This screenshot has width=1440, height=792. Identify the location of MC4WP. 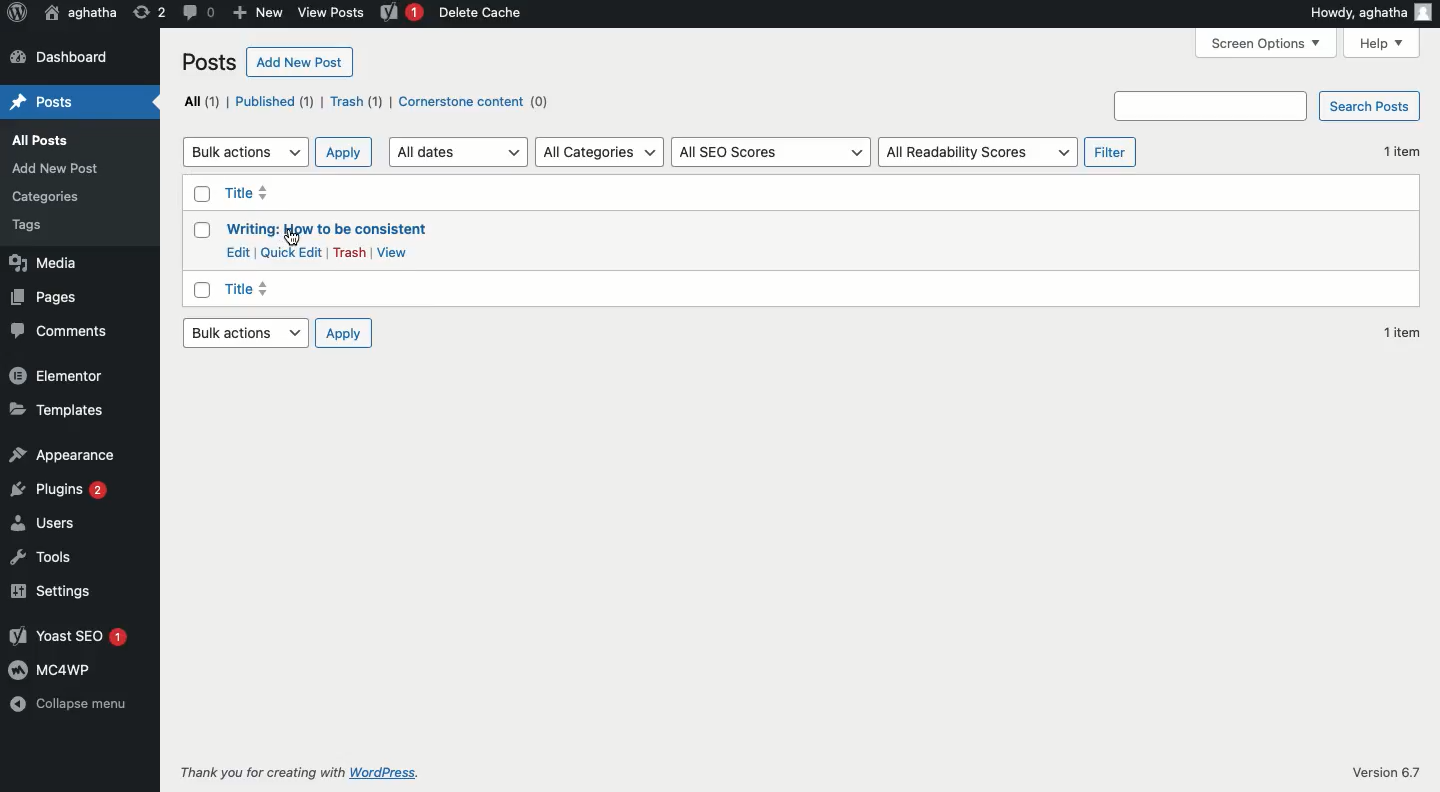
(69, 669).